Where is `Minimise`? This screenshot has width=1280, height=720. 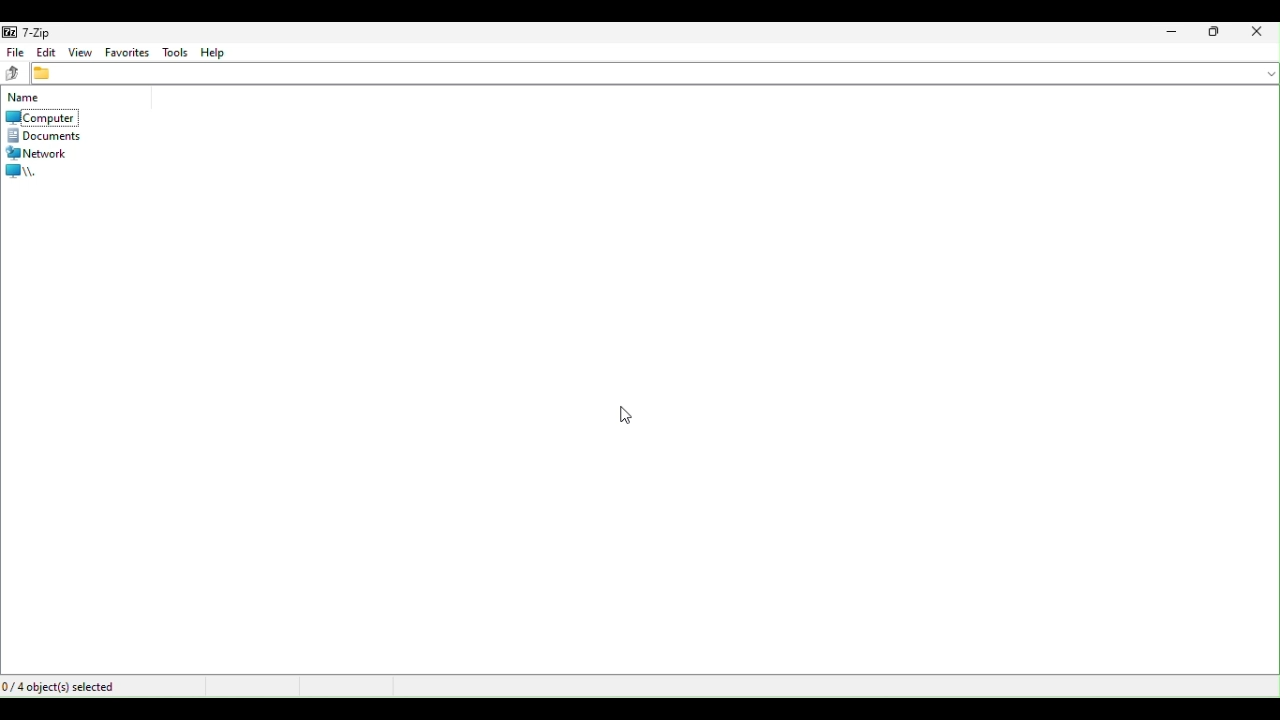 Minimise is located at coordinates (1173, 35).